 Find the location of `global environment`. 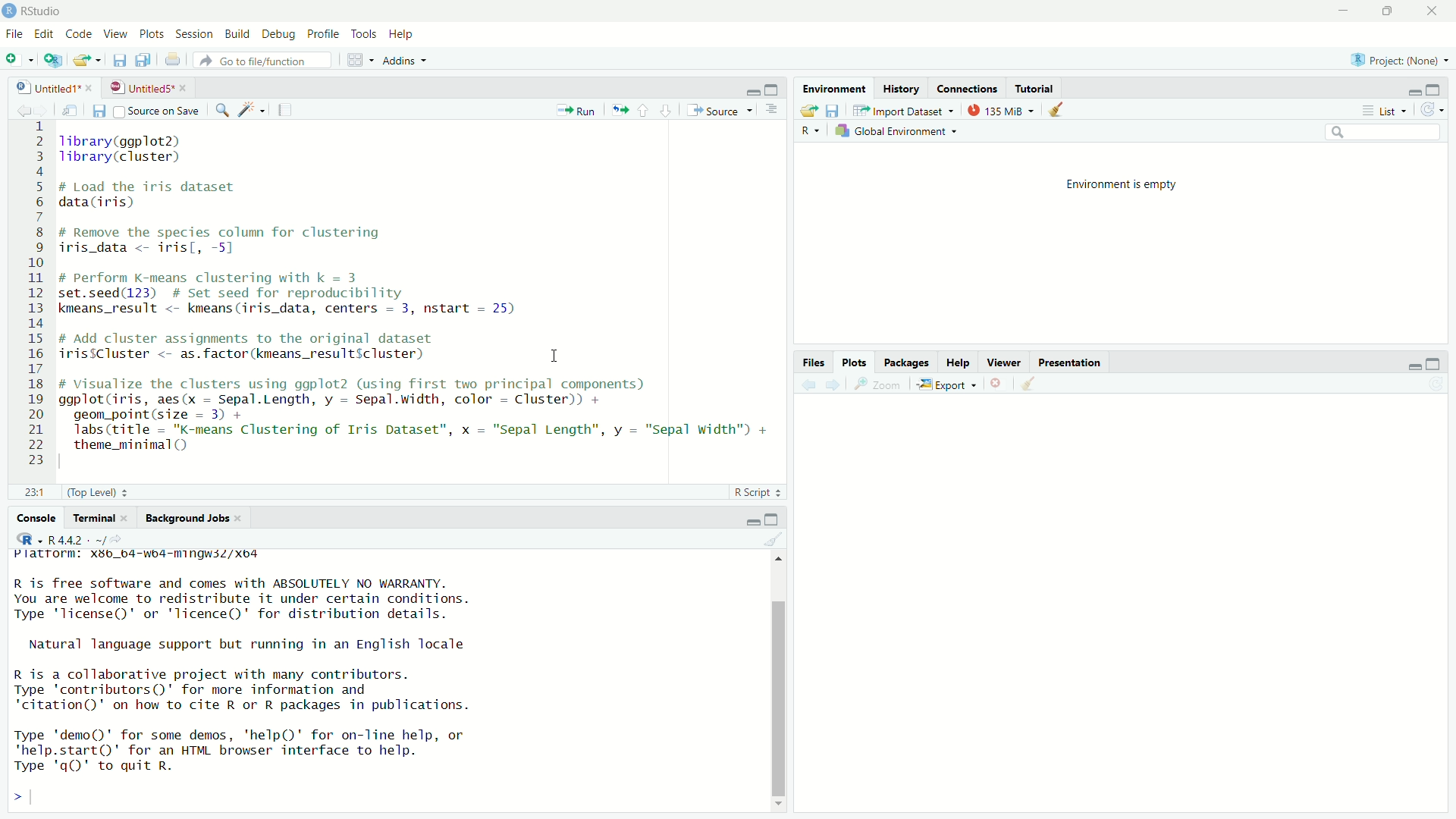

global environment is located at coordinates (899, 132).